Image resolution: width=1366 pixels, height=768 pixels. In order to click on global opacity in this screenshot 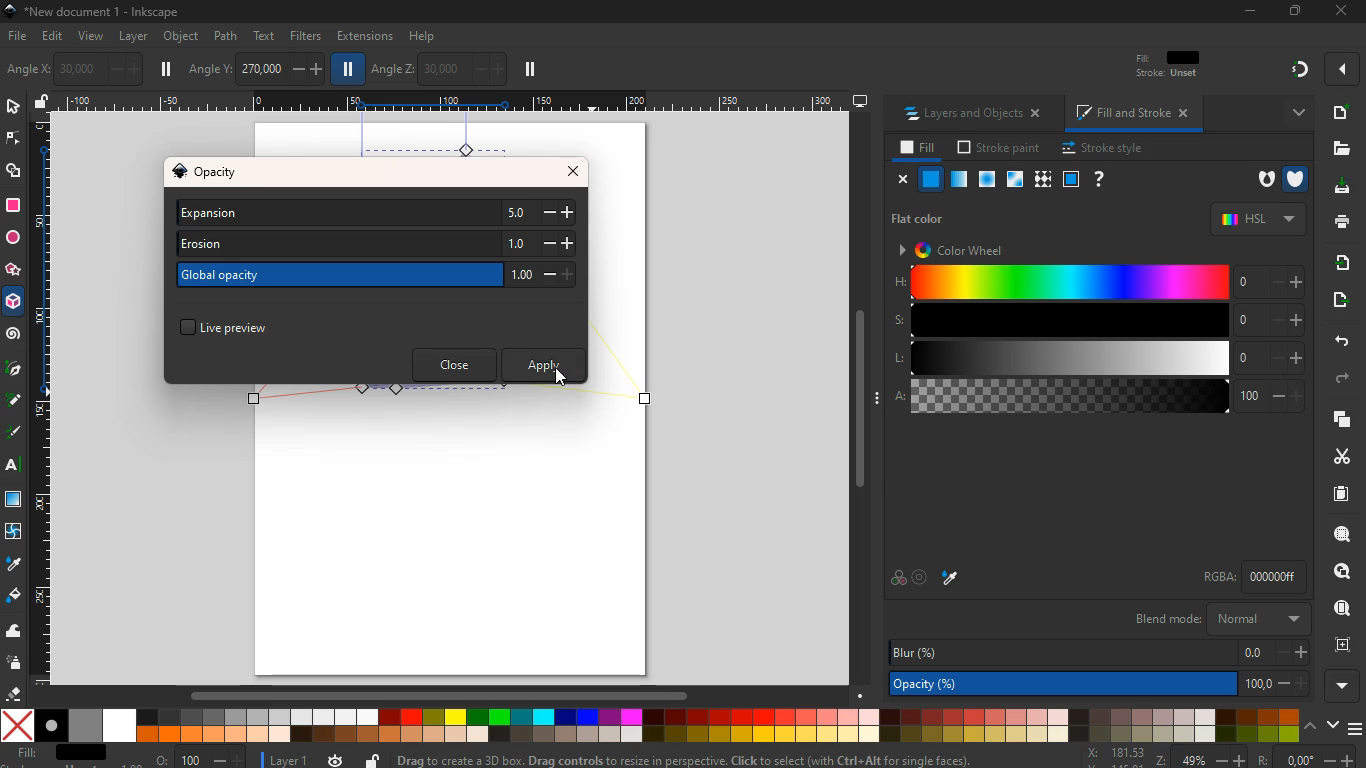, I will do `click(373, 277)`.